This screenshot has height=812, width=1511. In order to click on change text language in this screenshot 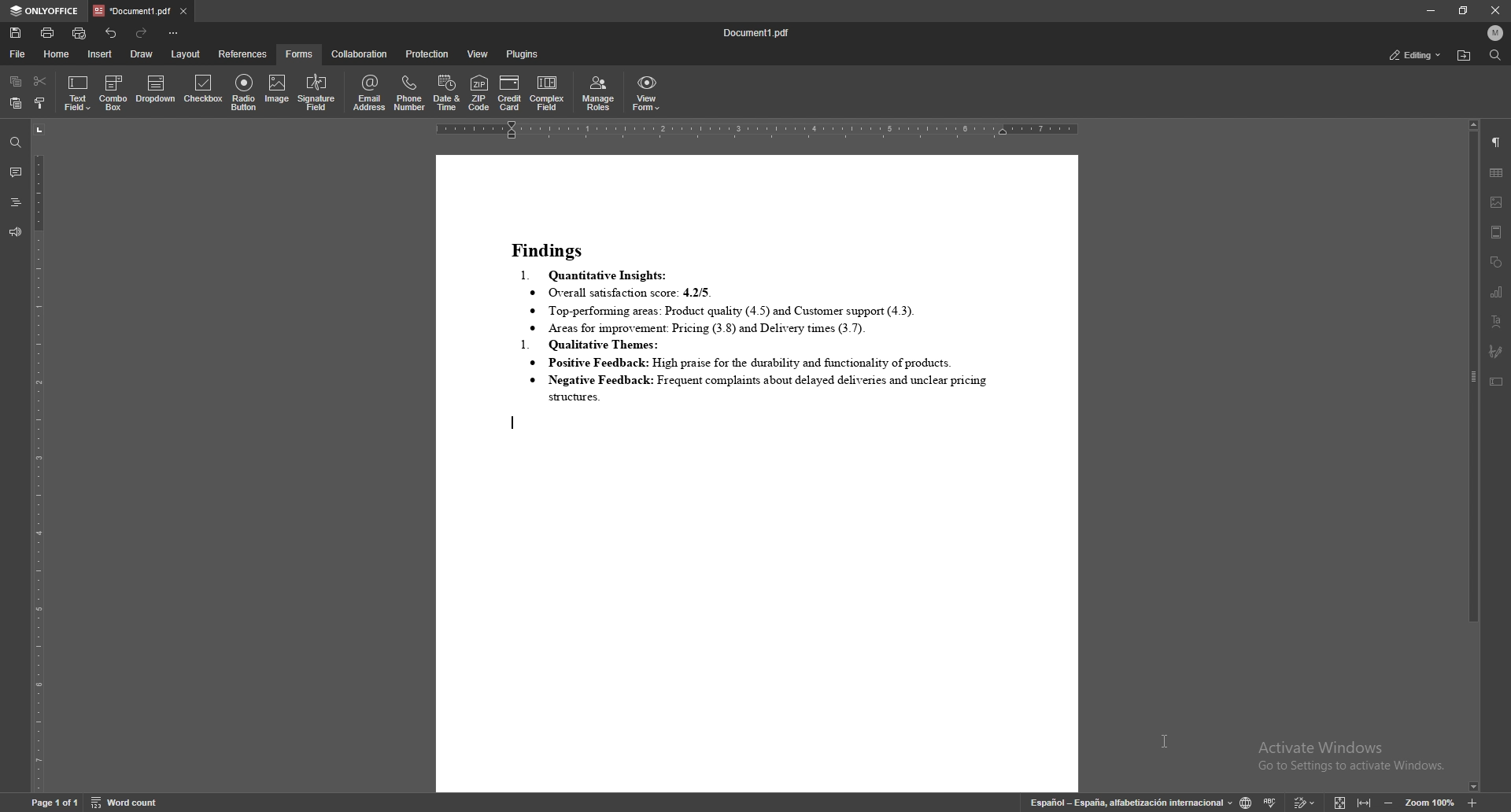, I will do `click(1243, 803)`.